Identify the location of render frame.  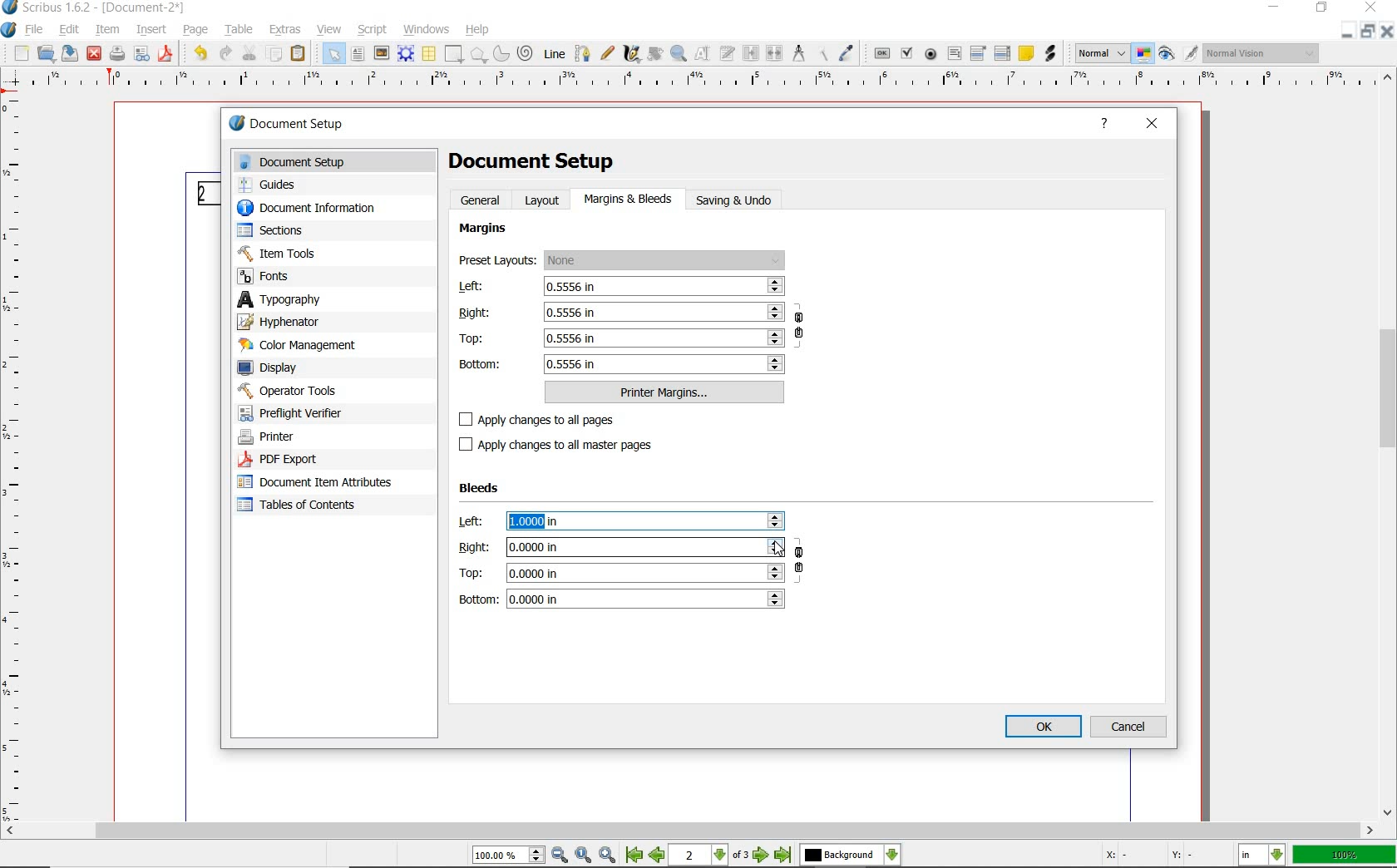
(406, 52).